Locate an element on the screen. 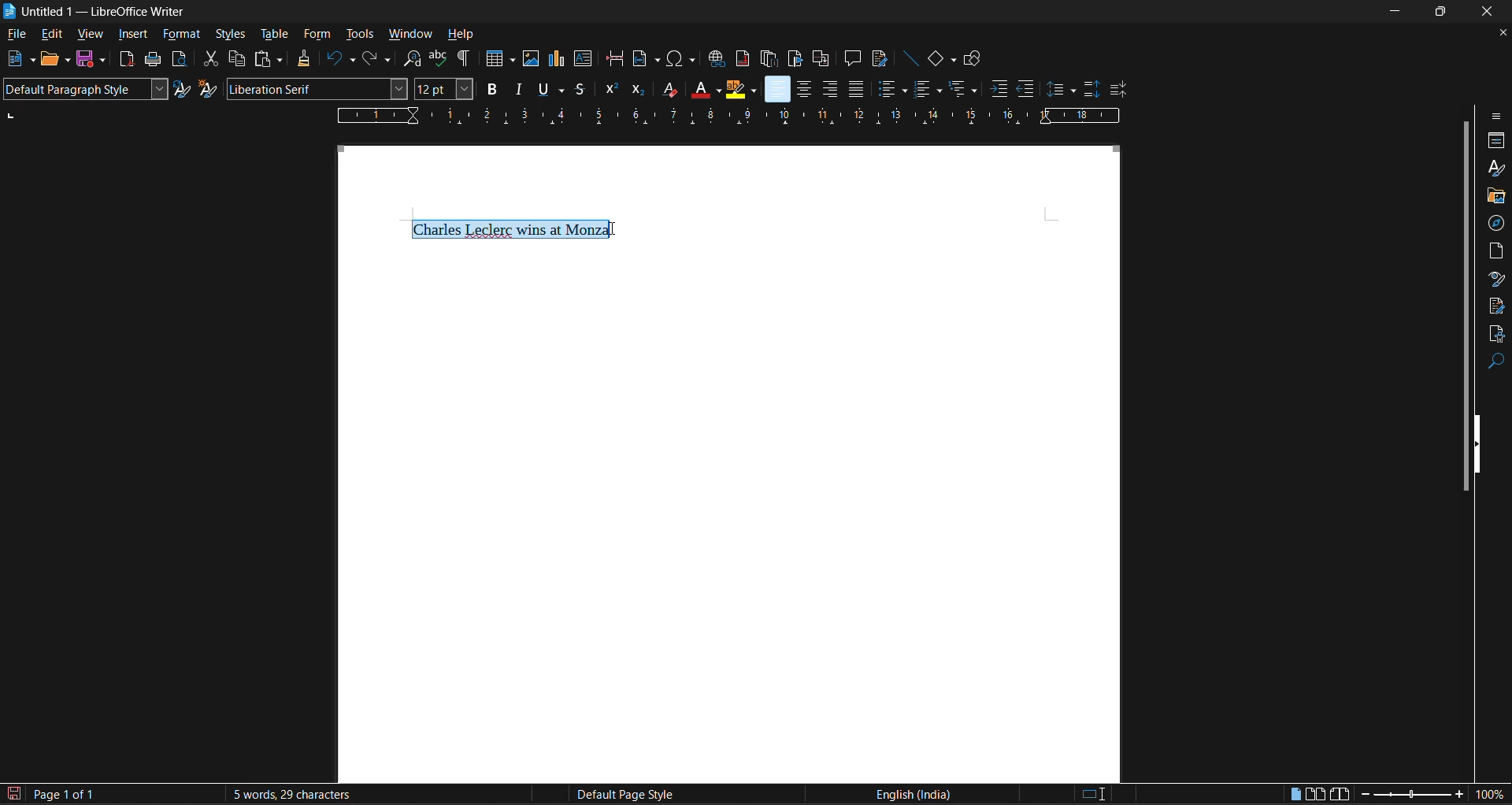 This screenshot has height=805, width=1512. new style from selection is located at coordinates (210, 90).